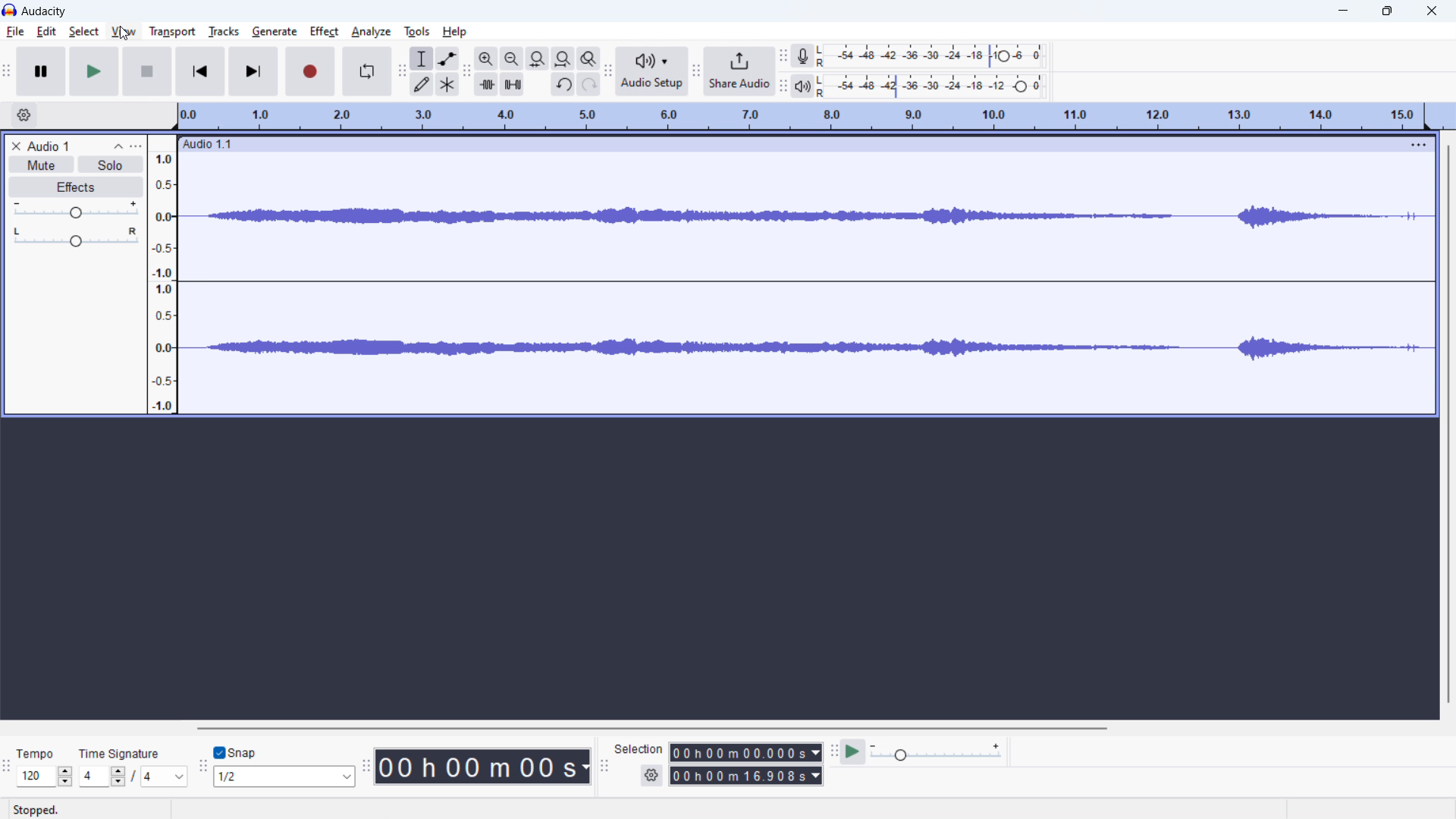  I want to click on recording meter toolbar, so click(783, 55).